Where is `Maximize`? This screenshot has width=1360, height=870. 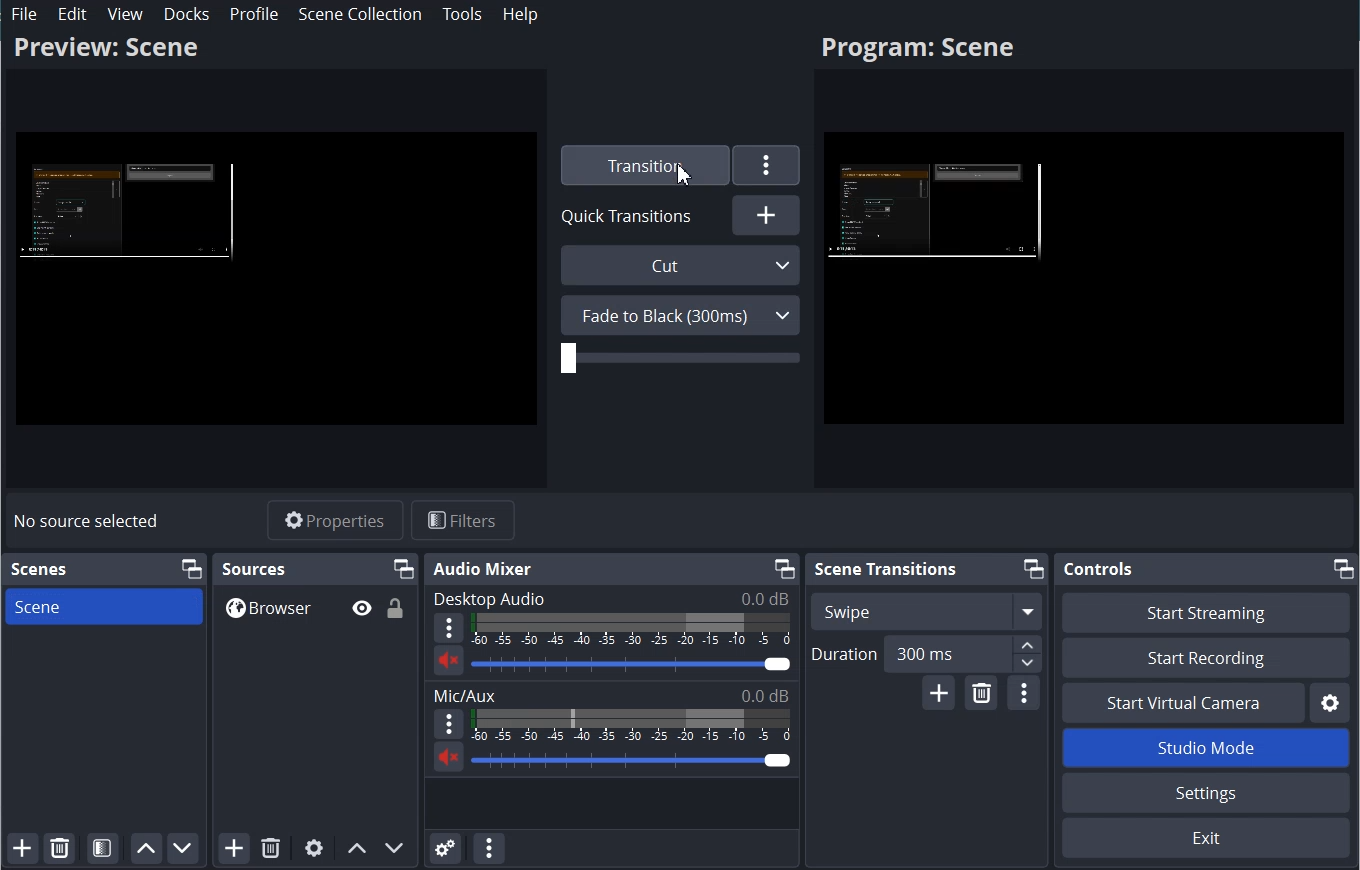 Maximize is located at coordinates (190, 569).